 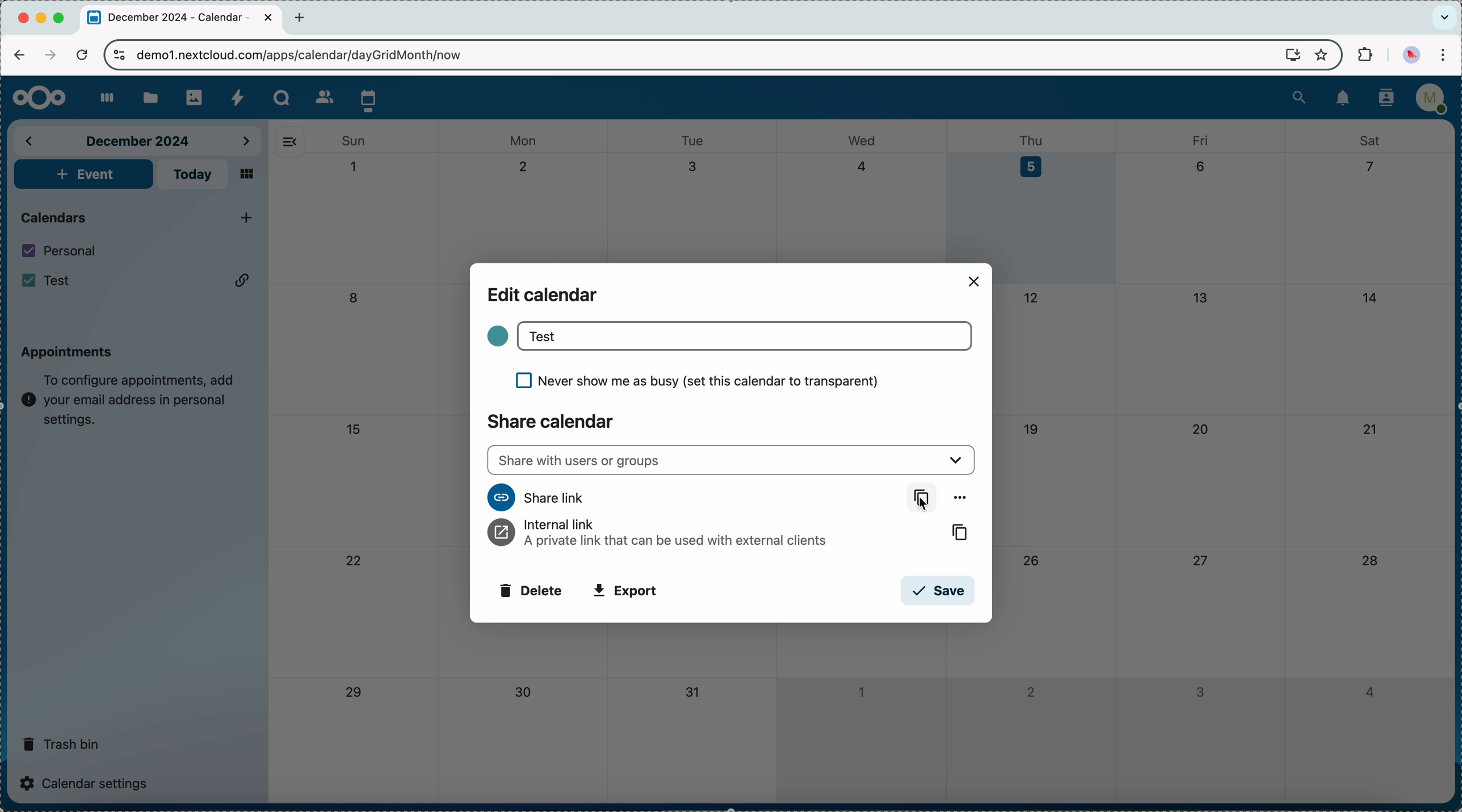 What do you see at coordinates (1369, 140) in the screenshot?
I see `sat` at bounding box center [1369, 140].